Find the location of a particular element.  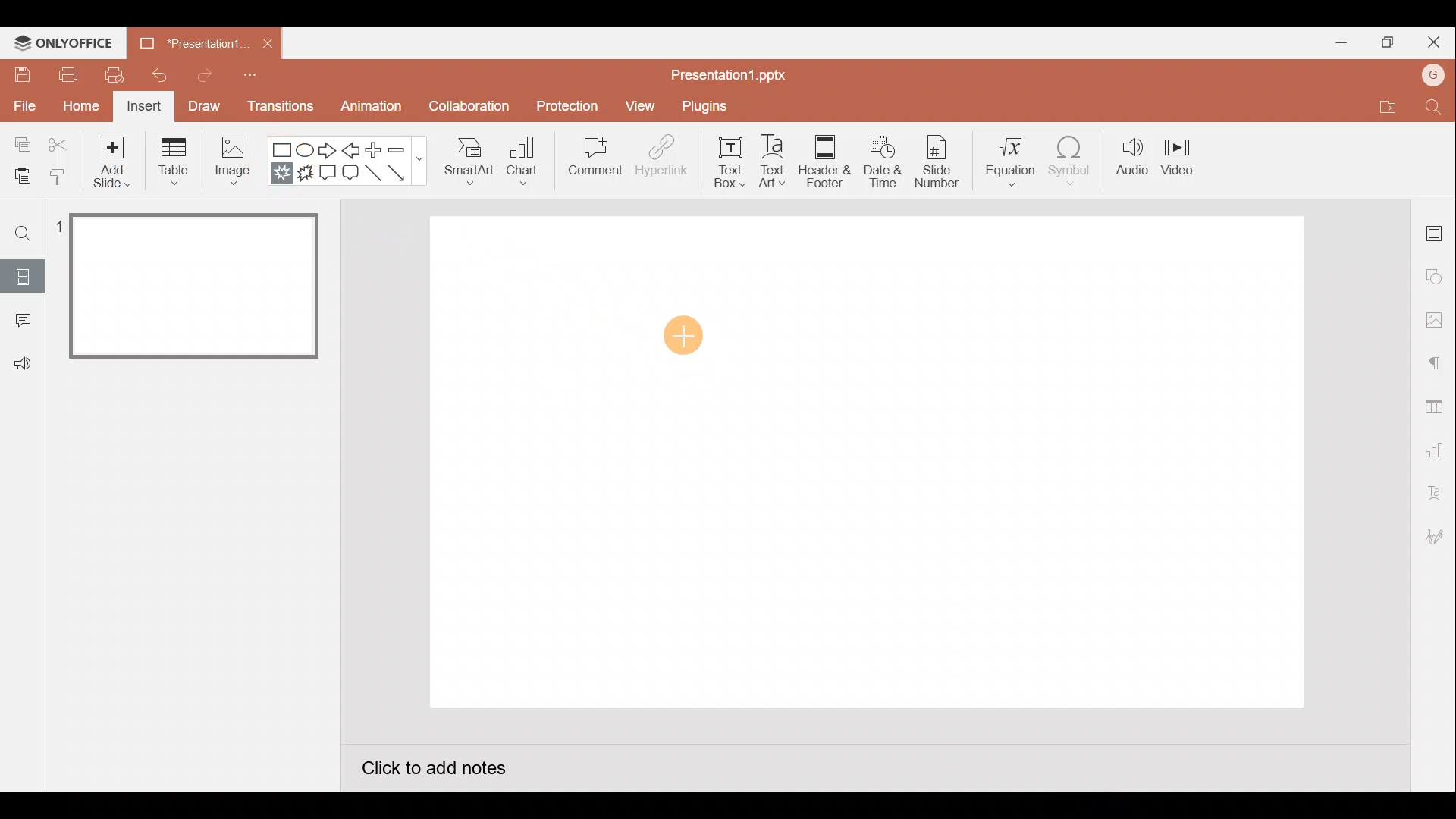

Quick print is located at coordinates (113, 75).